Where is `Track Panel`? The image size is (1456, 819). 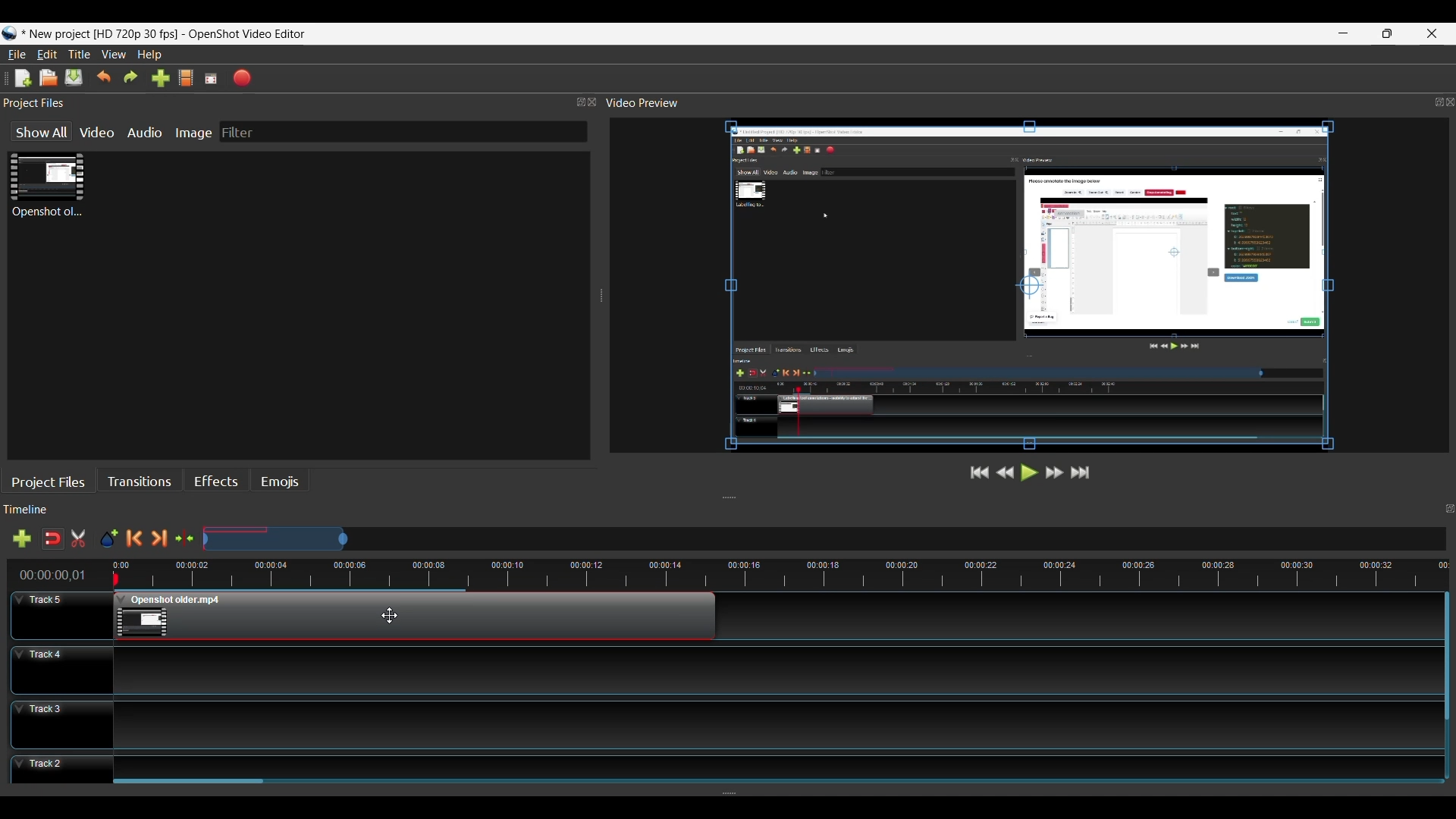 Track Panel is located at coordinates (774, 764).